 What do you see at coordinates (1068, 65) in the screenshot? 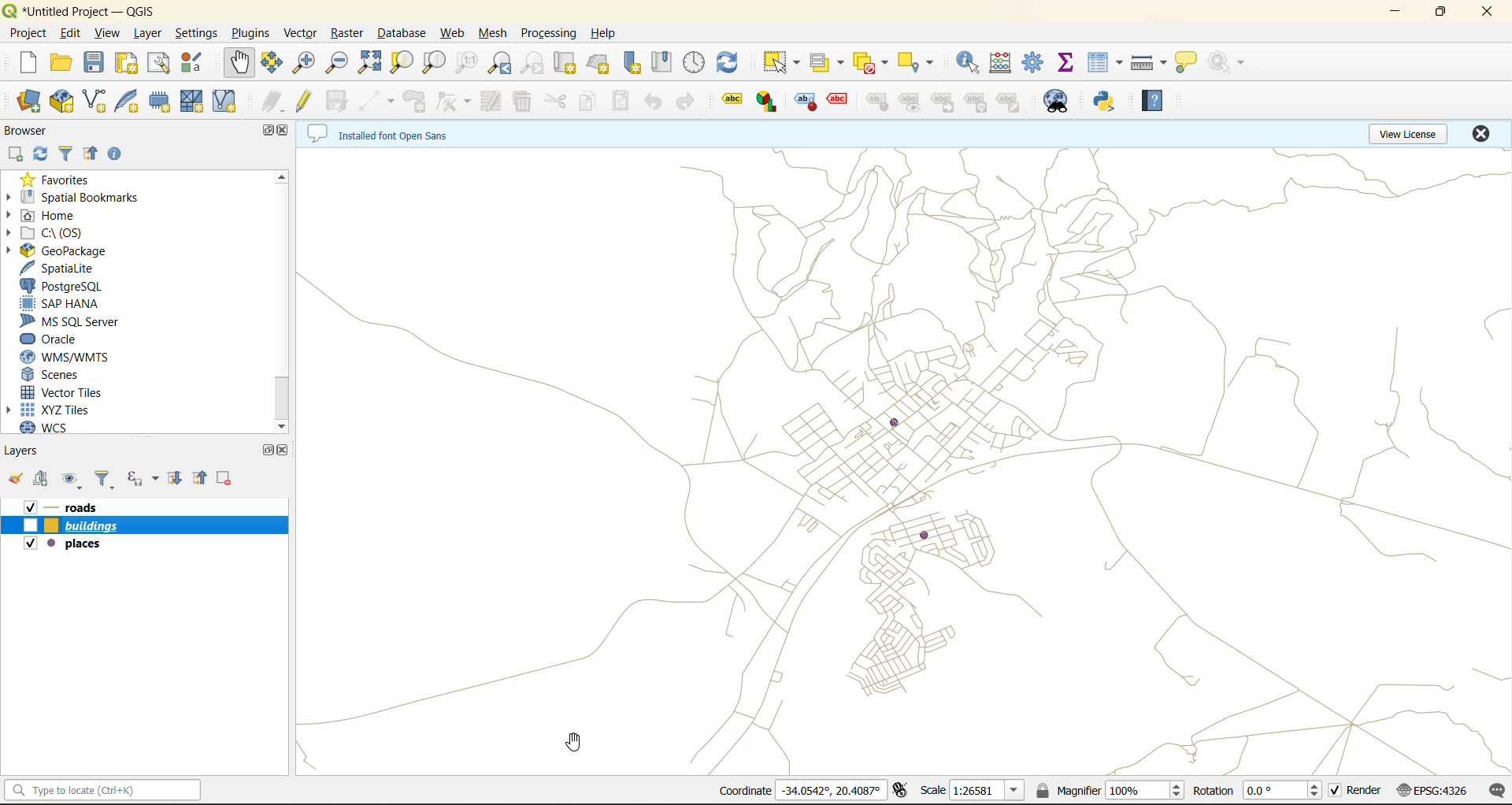
I see `statistical summary` at bounding box center [1068, 65].